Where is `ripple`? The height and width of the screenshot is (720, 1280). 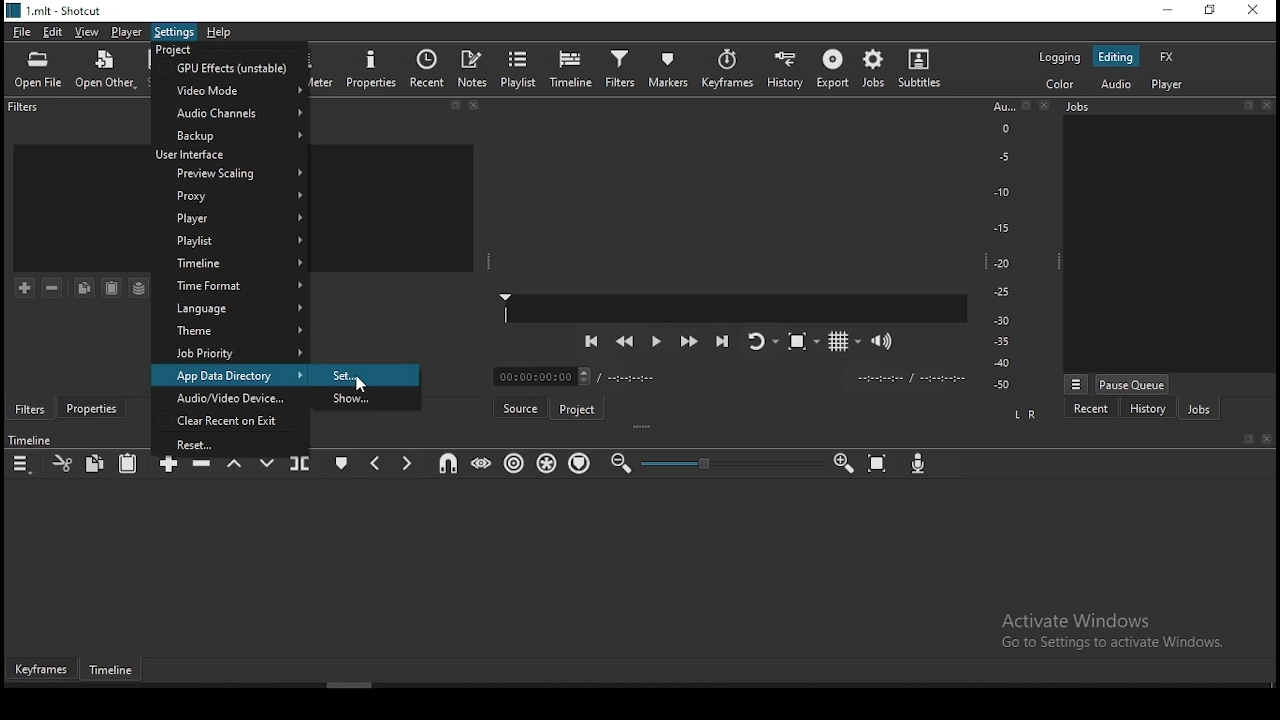 ripple is located at coordinates (512, 464).